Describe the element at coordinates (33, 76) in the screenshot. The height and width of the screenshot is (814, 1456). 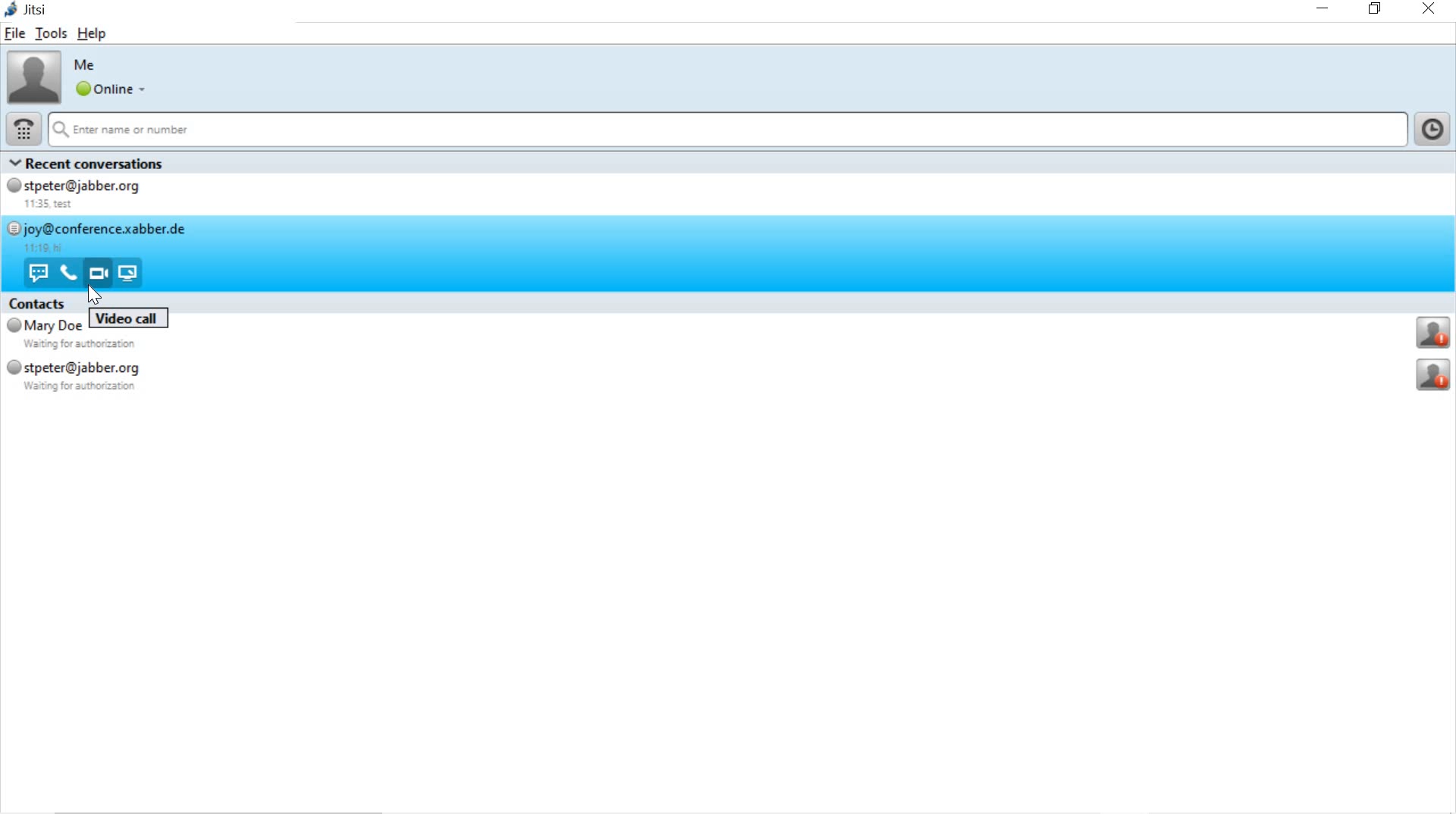
I see `account picture` at that location.